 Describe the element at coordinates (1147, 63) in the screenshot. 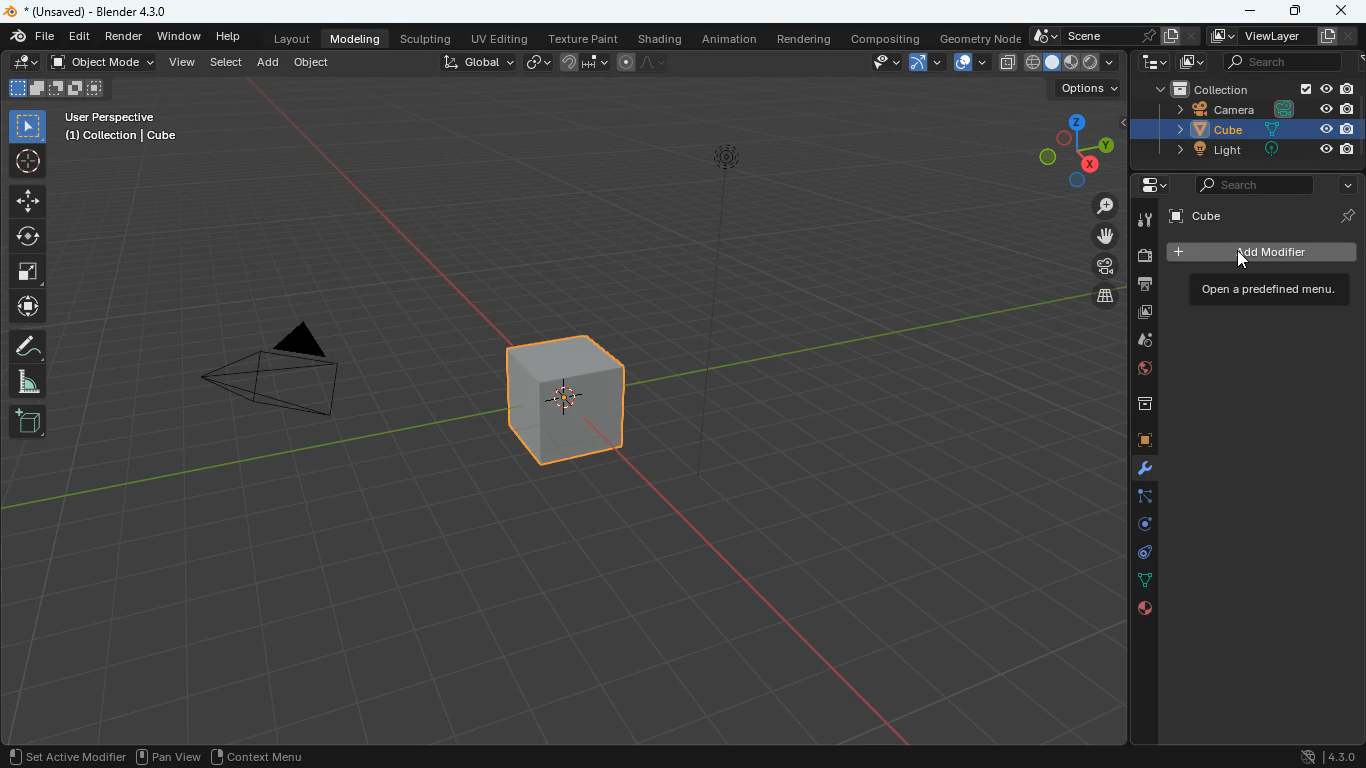

I see `tech` at that location.